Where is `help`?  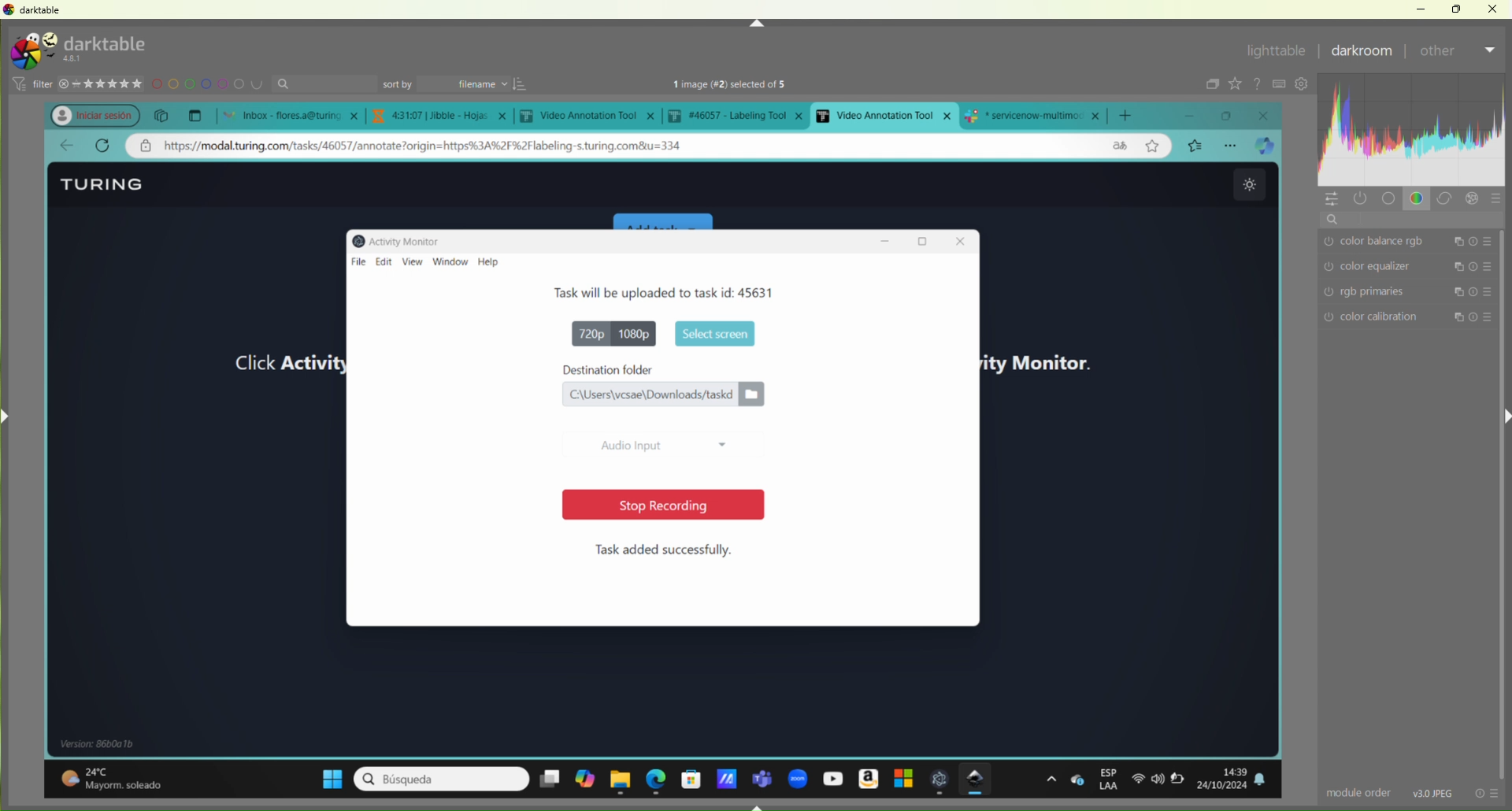 help is located at coordinates (495, 263).